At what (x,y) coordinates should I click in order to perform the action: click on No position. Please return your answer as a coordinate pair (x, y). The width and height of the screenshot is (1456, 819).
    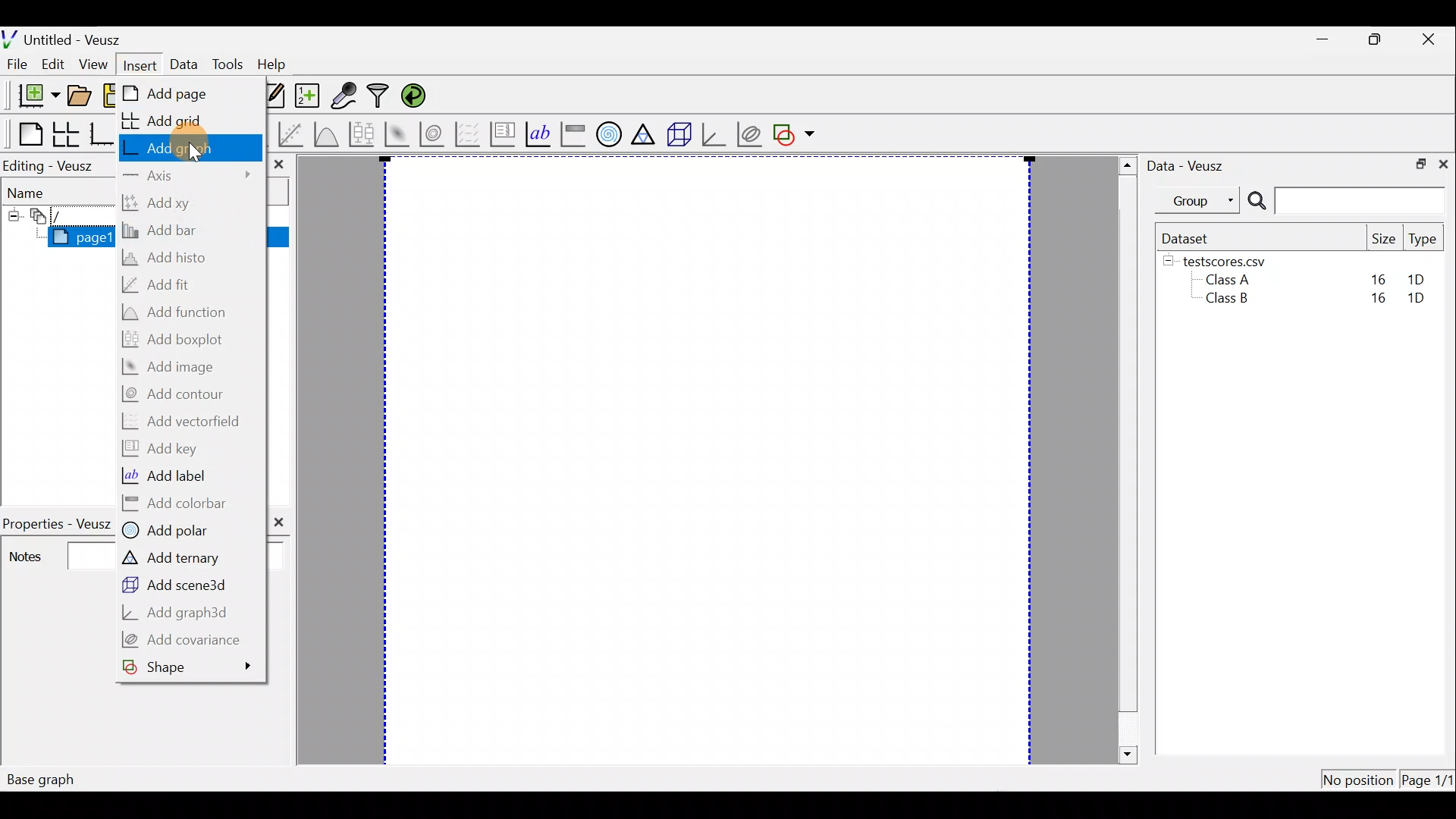
    Looking at the image, I should click on (1357, 777).